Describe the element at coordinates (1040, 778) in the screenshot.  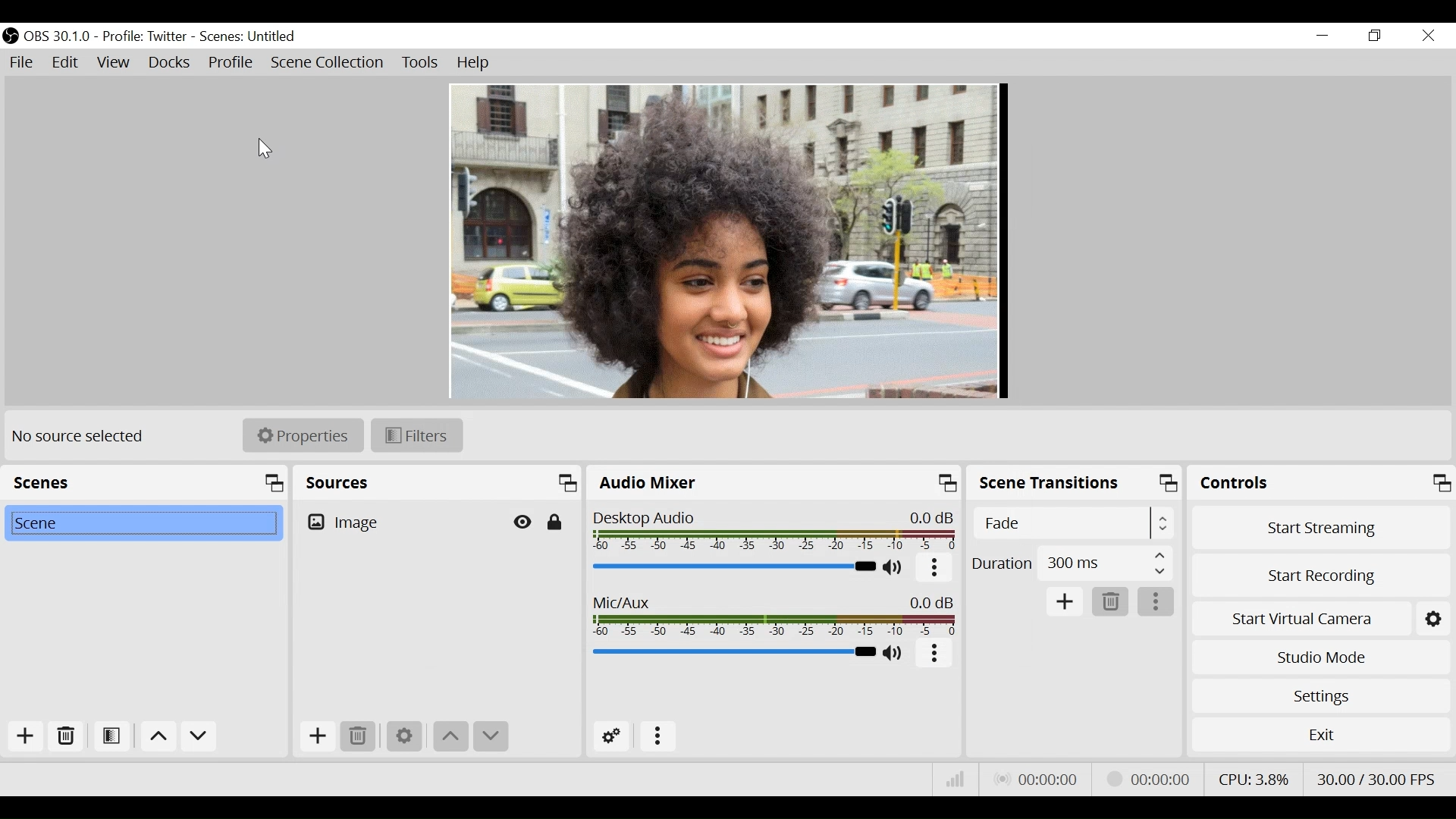
I see `Live Status` at that location.